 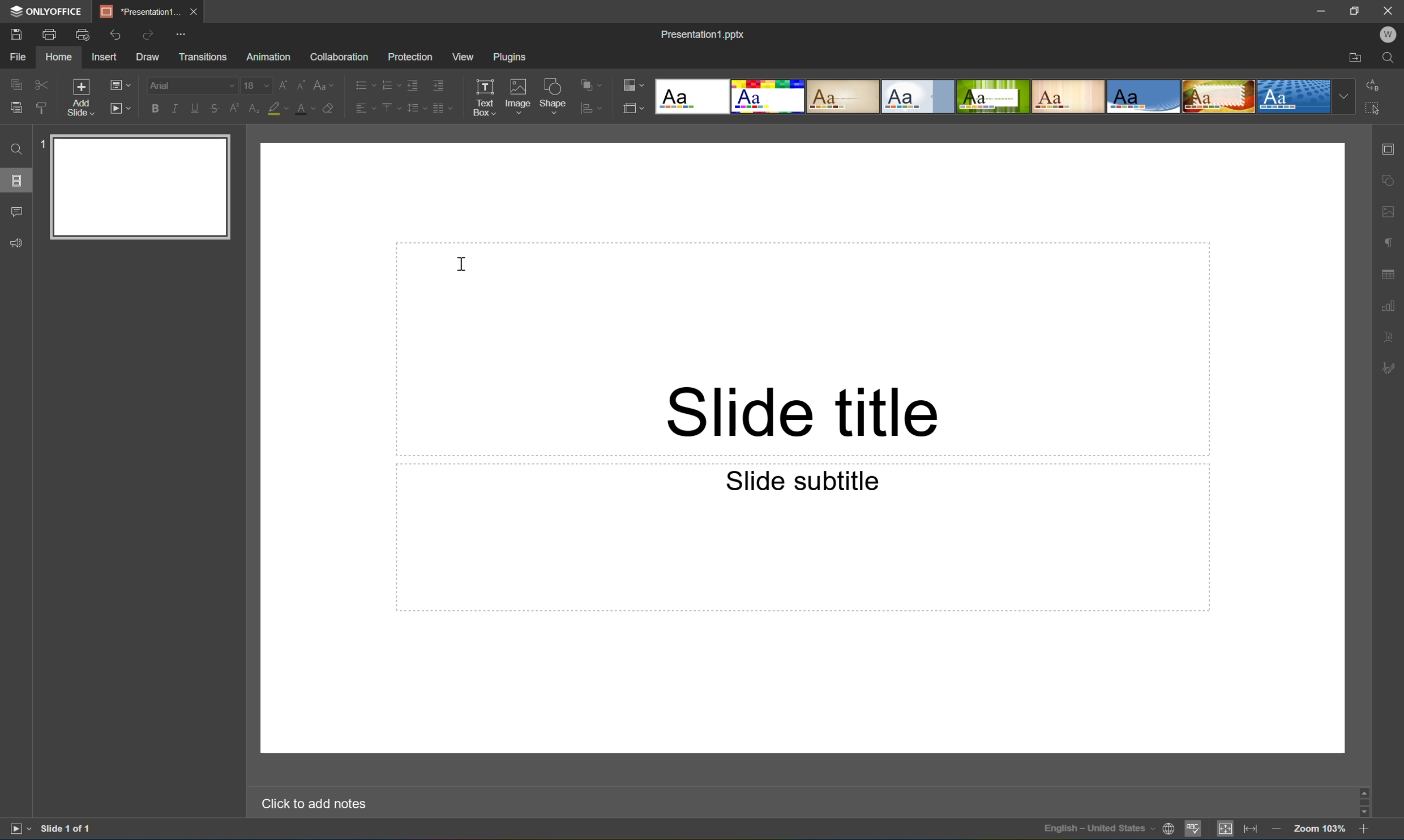 What do you see at coordinates (277, 106) in the screenshot?
I see `Highlight color` at bounding box center [277, 106].